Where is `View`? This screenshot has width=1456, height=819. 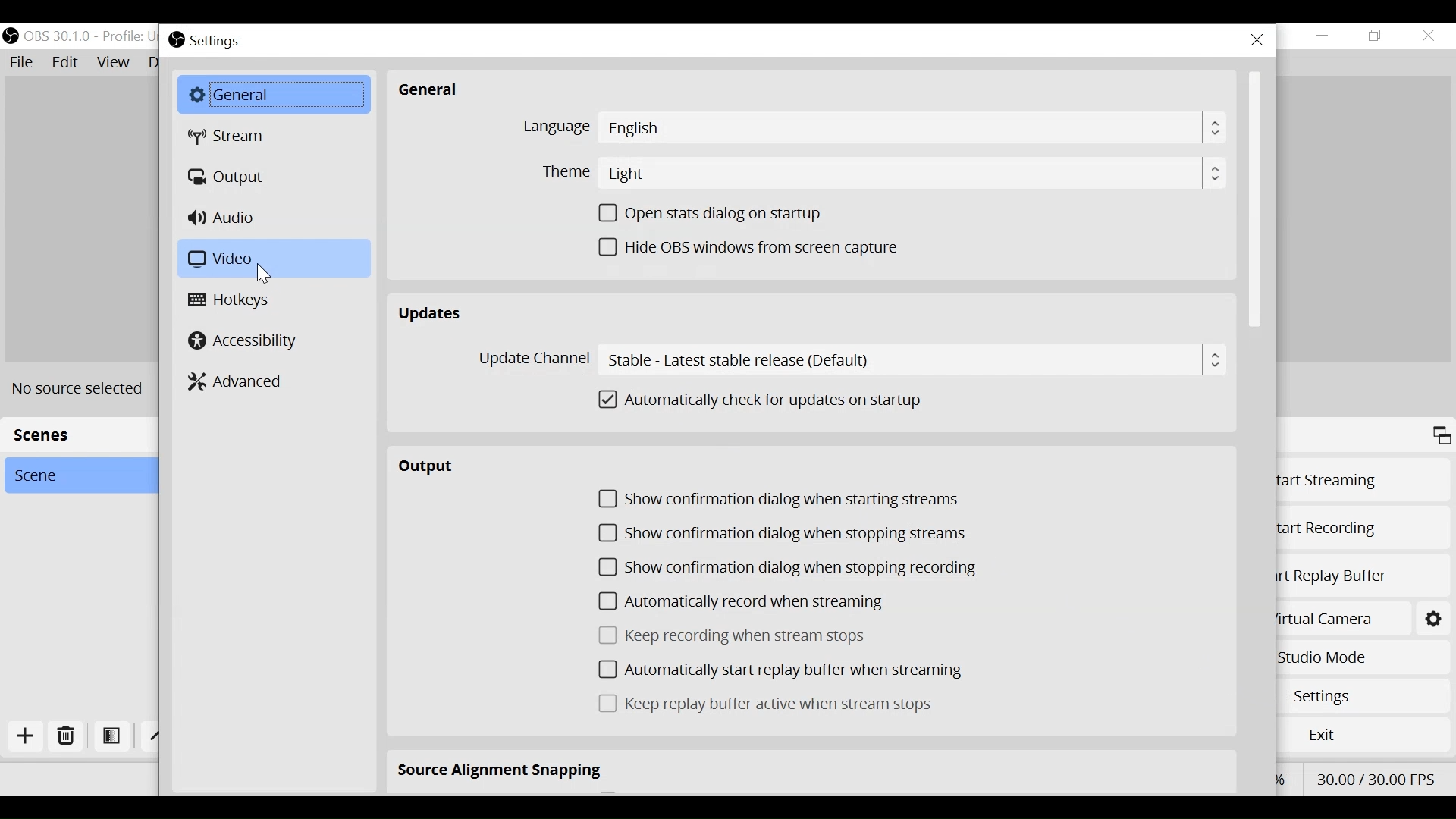
View is located at coordinates (113, 63).